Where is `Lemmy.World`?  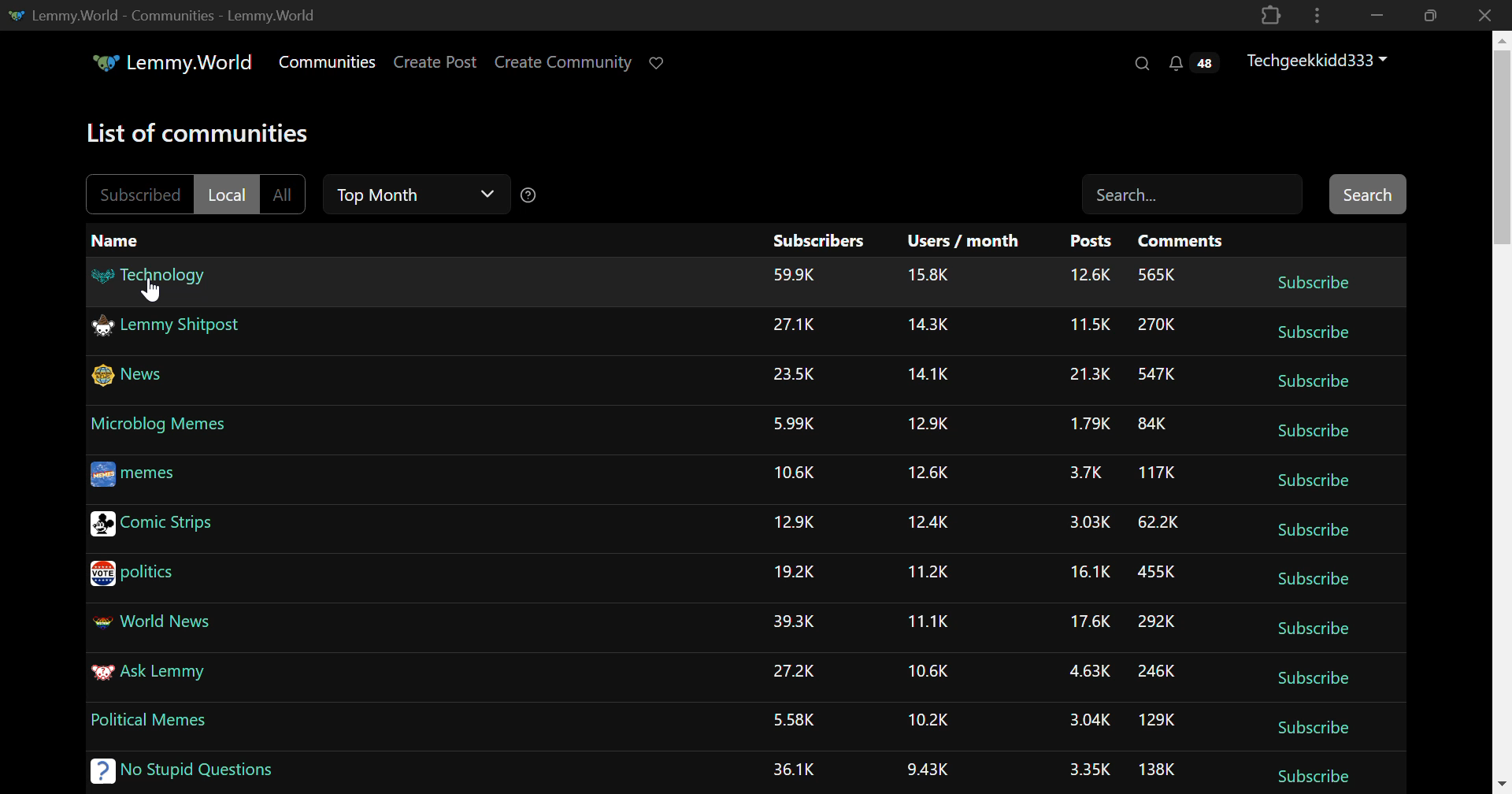
Lemmy.World is located at coordinates (169, 63).